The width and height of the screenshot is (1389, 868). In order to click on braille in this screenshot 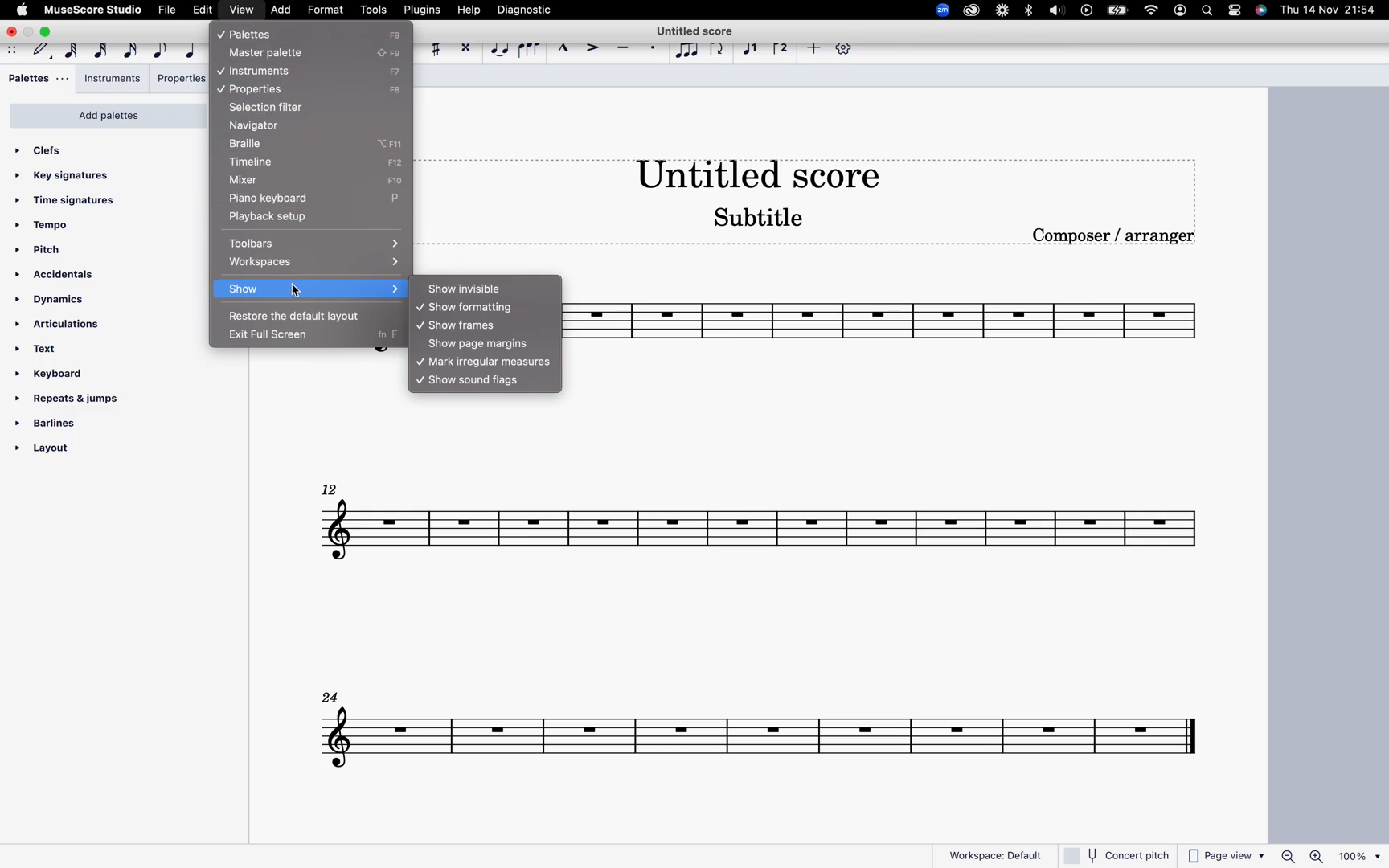, I will do `click(293, 144)`.